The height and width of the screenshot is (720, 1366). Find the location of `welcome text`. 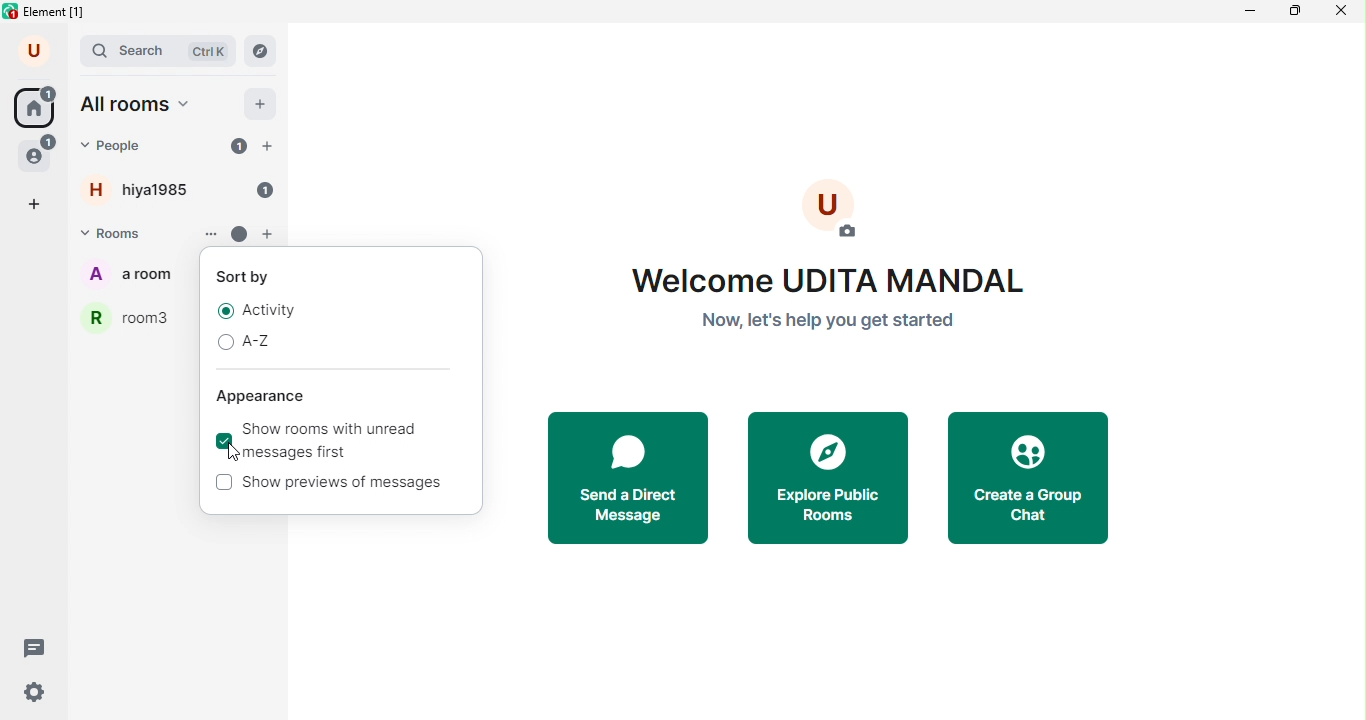

welcome text is located at coordinates (842, 296).